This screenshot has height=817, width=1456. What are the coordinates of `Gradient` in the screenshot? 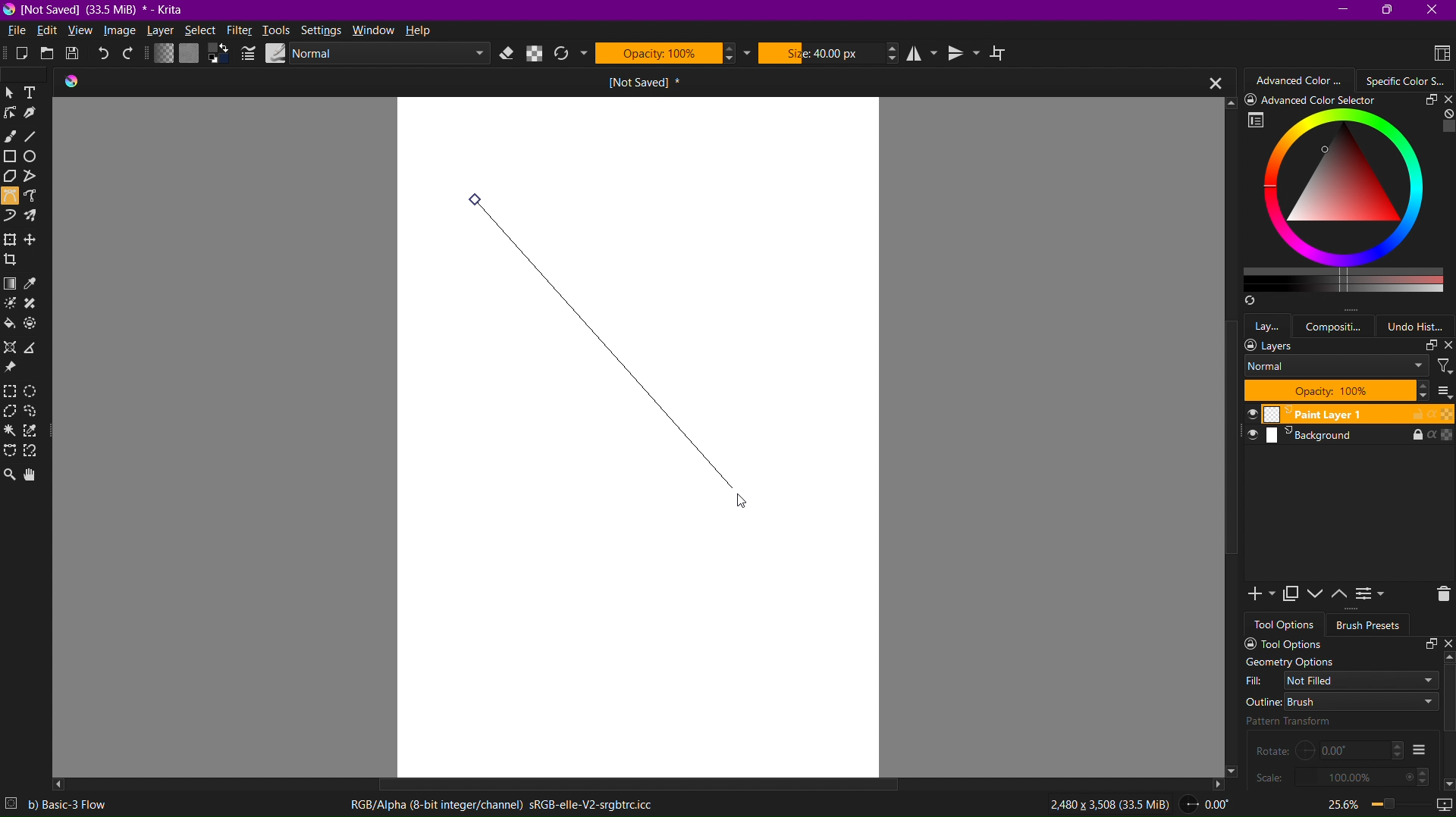 It's located at (11, 283).